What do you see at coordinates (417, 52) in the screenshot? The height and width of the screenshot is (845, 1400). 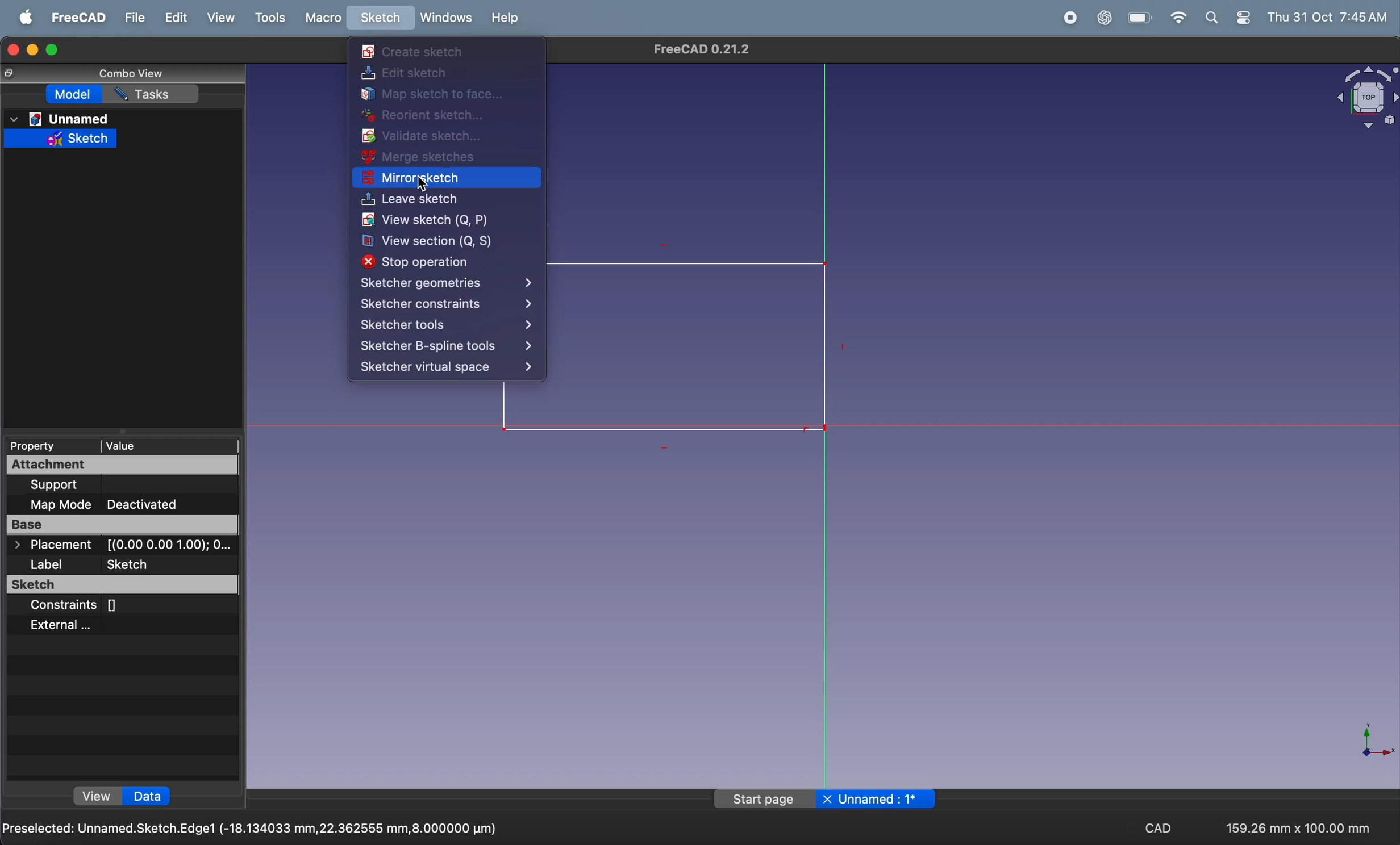 I see `create sketch` at bounding box center [417, 52].